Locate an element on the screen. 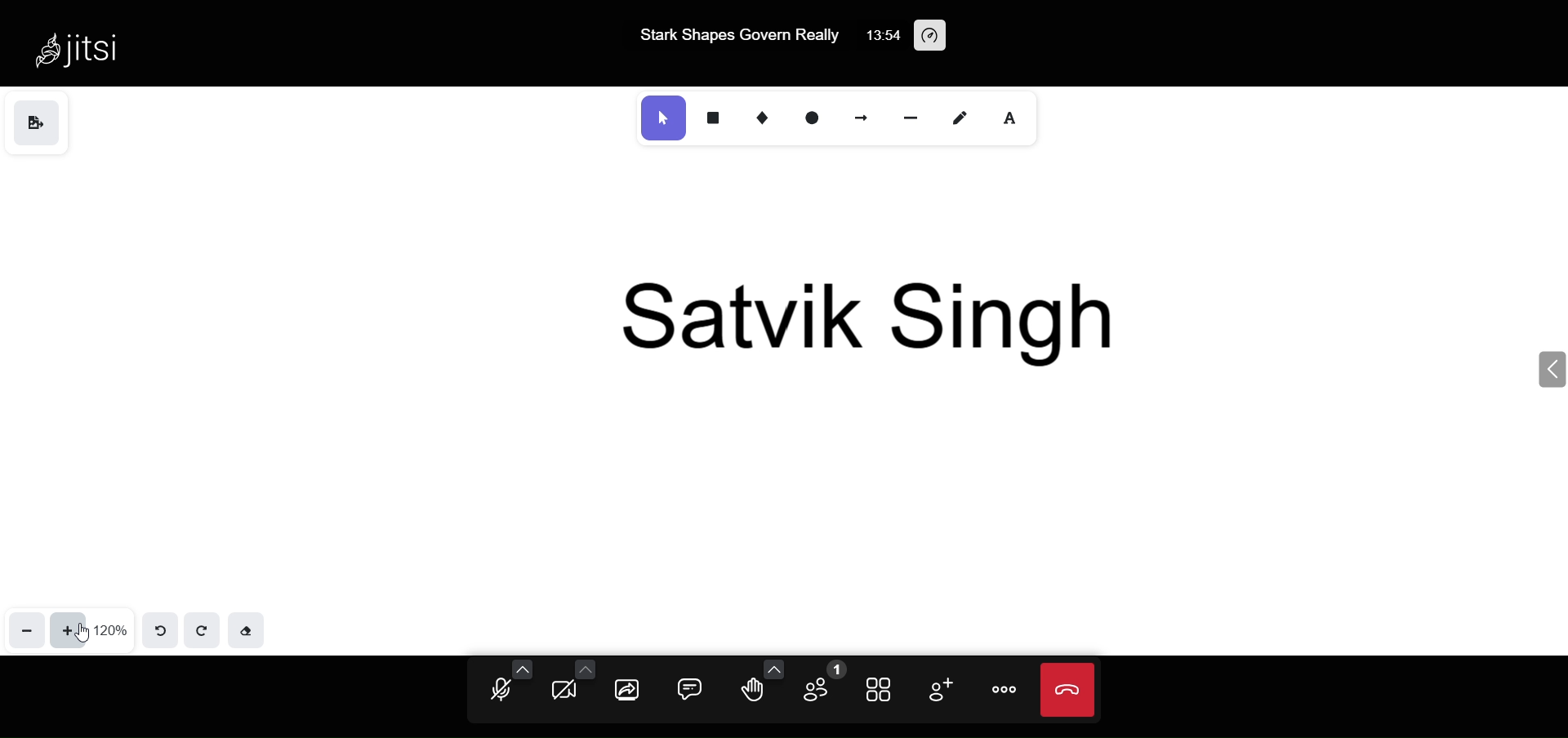 This screenshot has width=1568, height=738. more camera option is located at coordinates (587, 669).